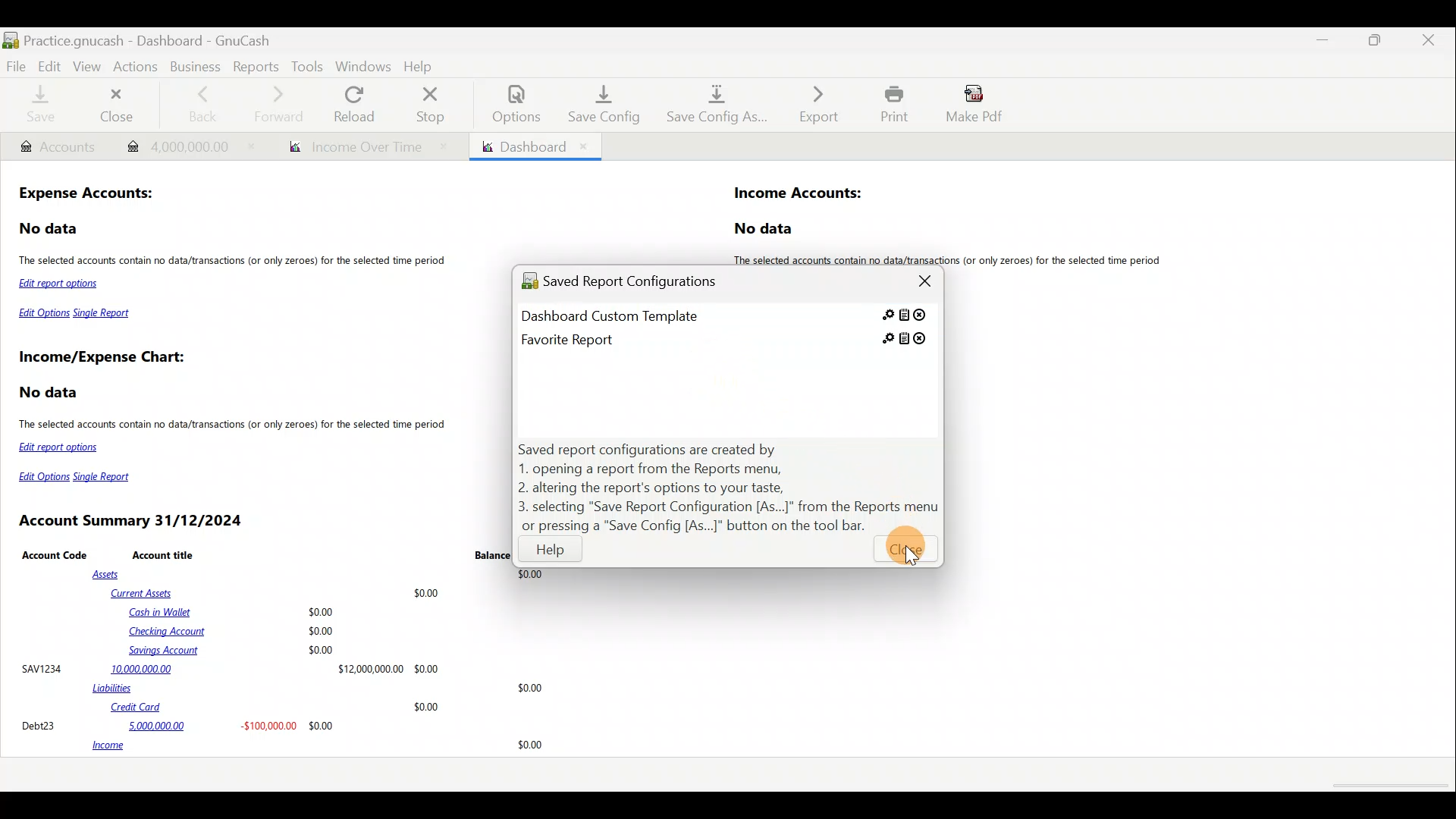 The image size is (1456, 819). Describe the element at coordinates (169, 36) in the screenshot. I see `Document name` at that location.